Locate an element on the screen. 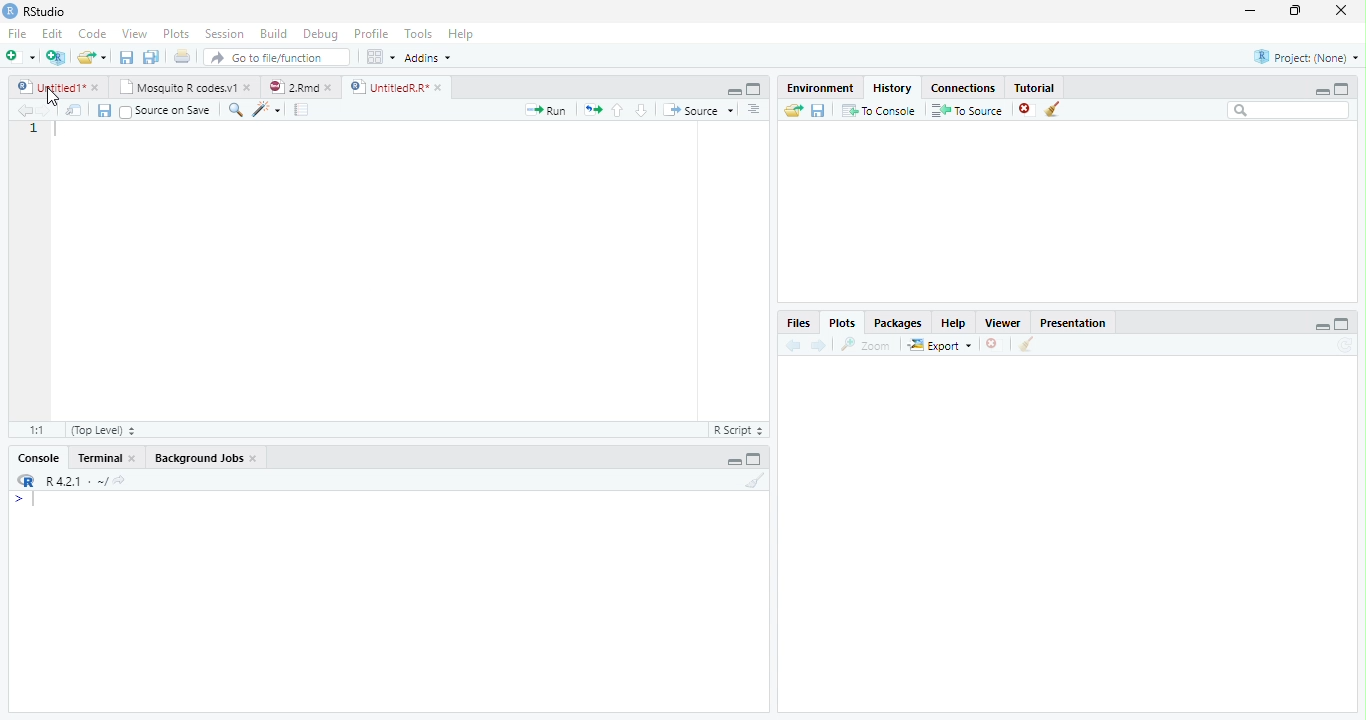  Packages is located at coordinates (897, 325).